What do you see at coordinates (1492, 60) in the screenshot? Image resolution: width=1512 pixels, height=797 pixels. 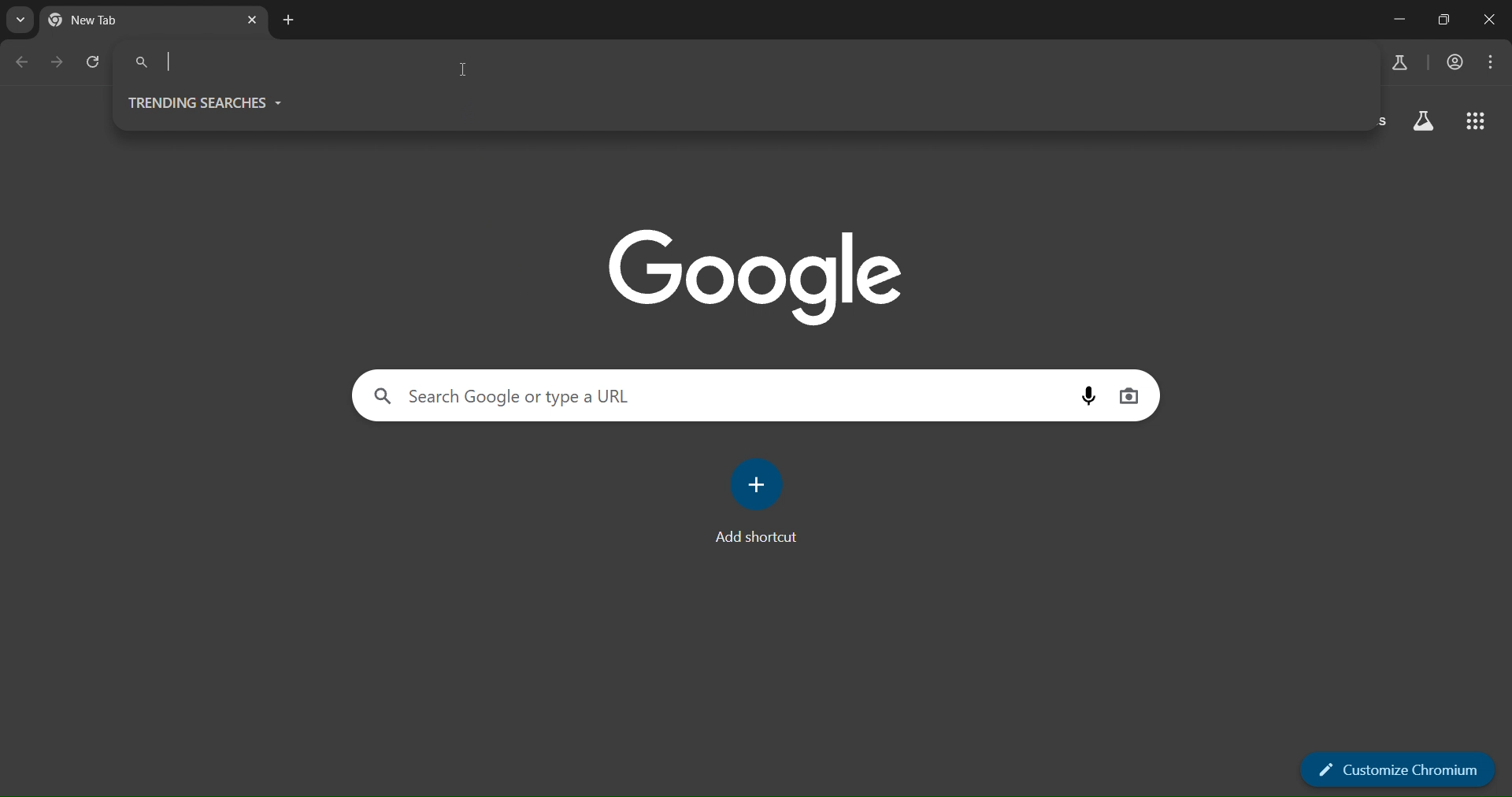 I see `menu` at bounding box center [1492, 60].